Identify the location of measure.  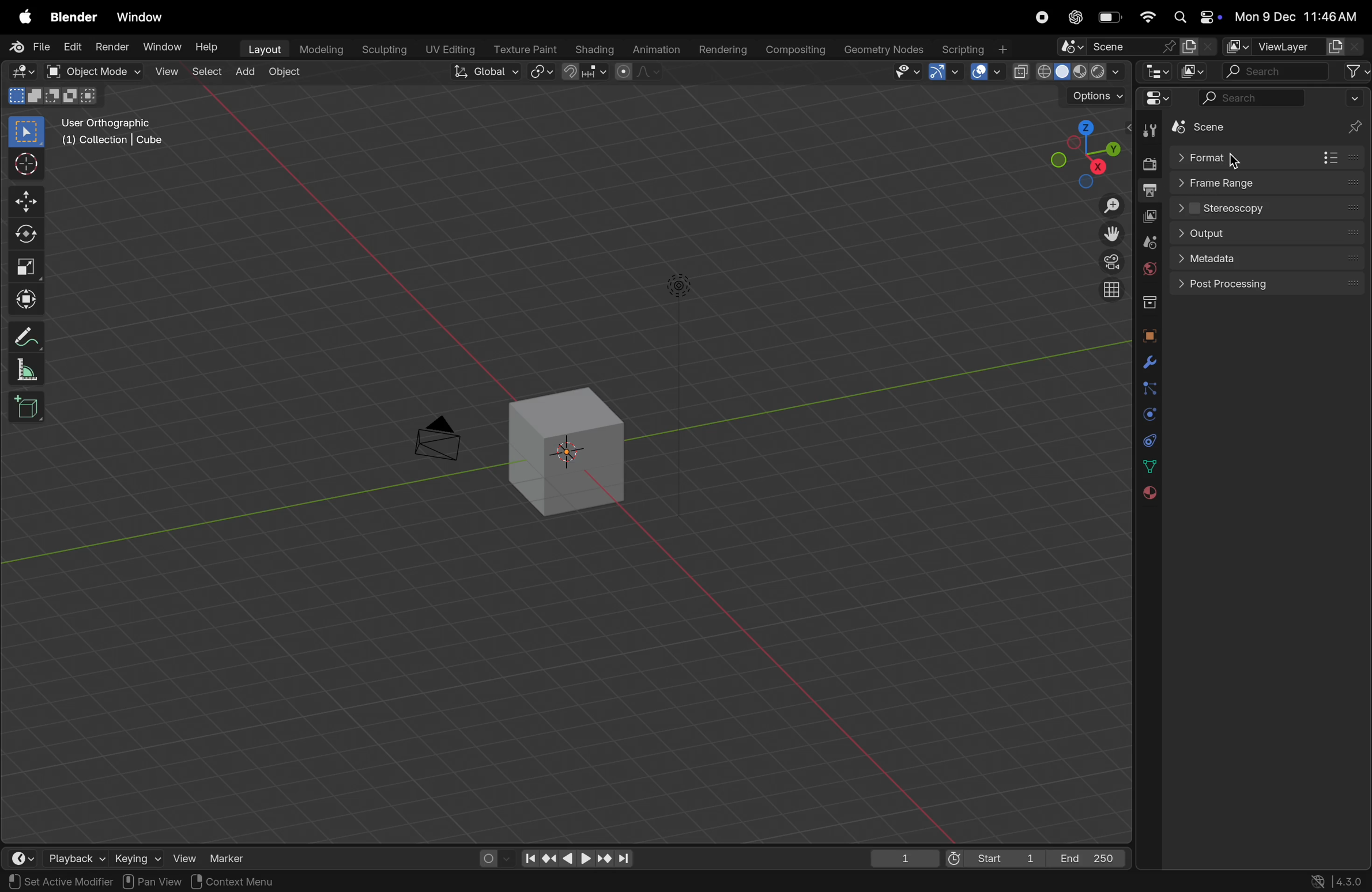
(26, 369).